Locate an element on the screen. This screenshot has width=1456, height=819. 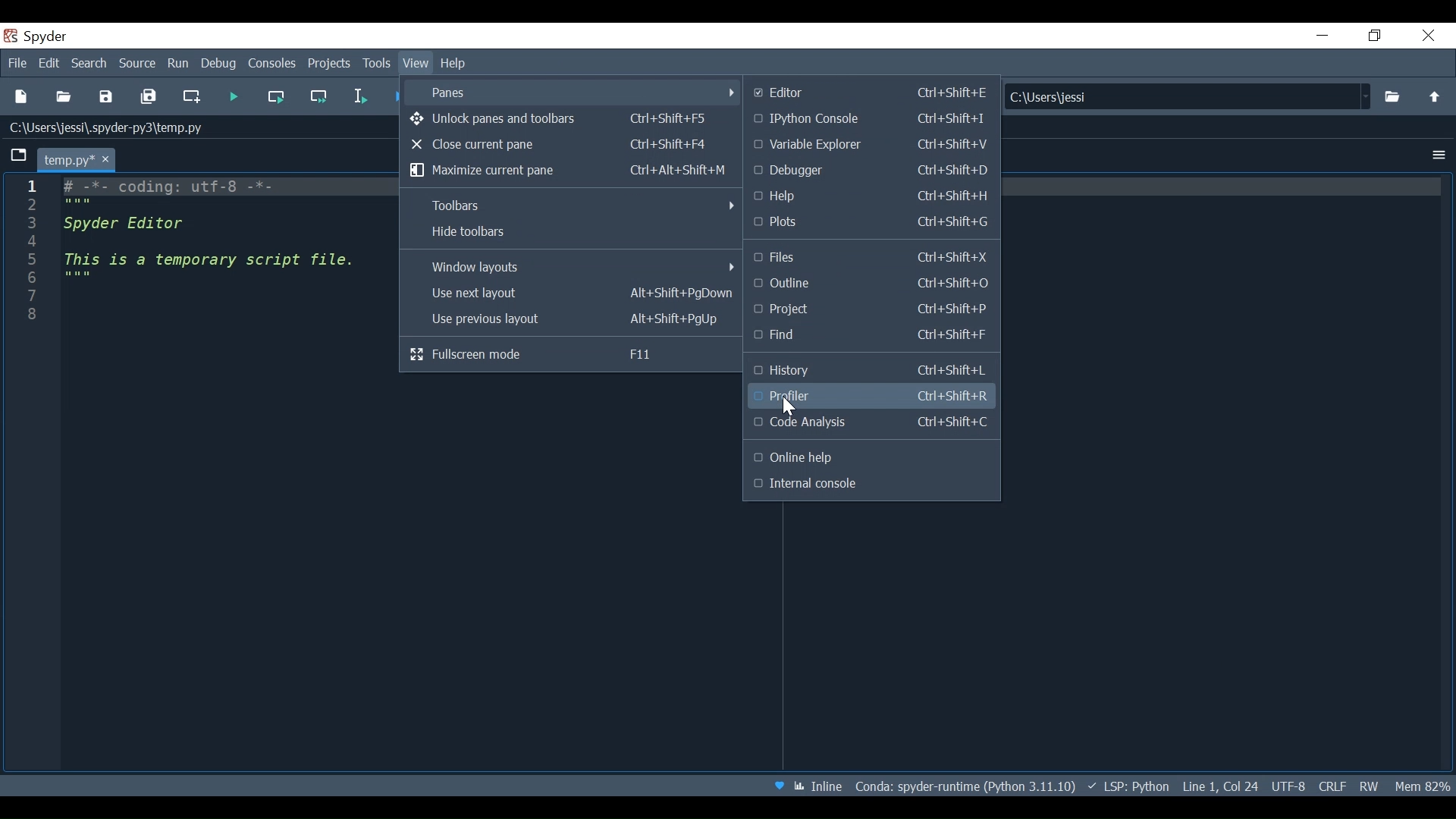
Toolbar is located at coordinates (573, 206).